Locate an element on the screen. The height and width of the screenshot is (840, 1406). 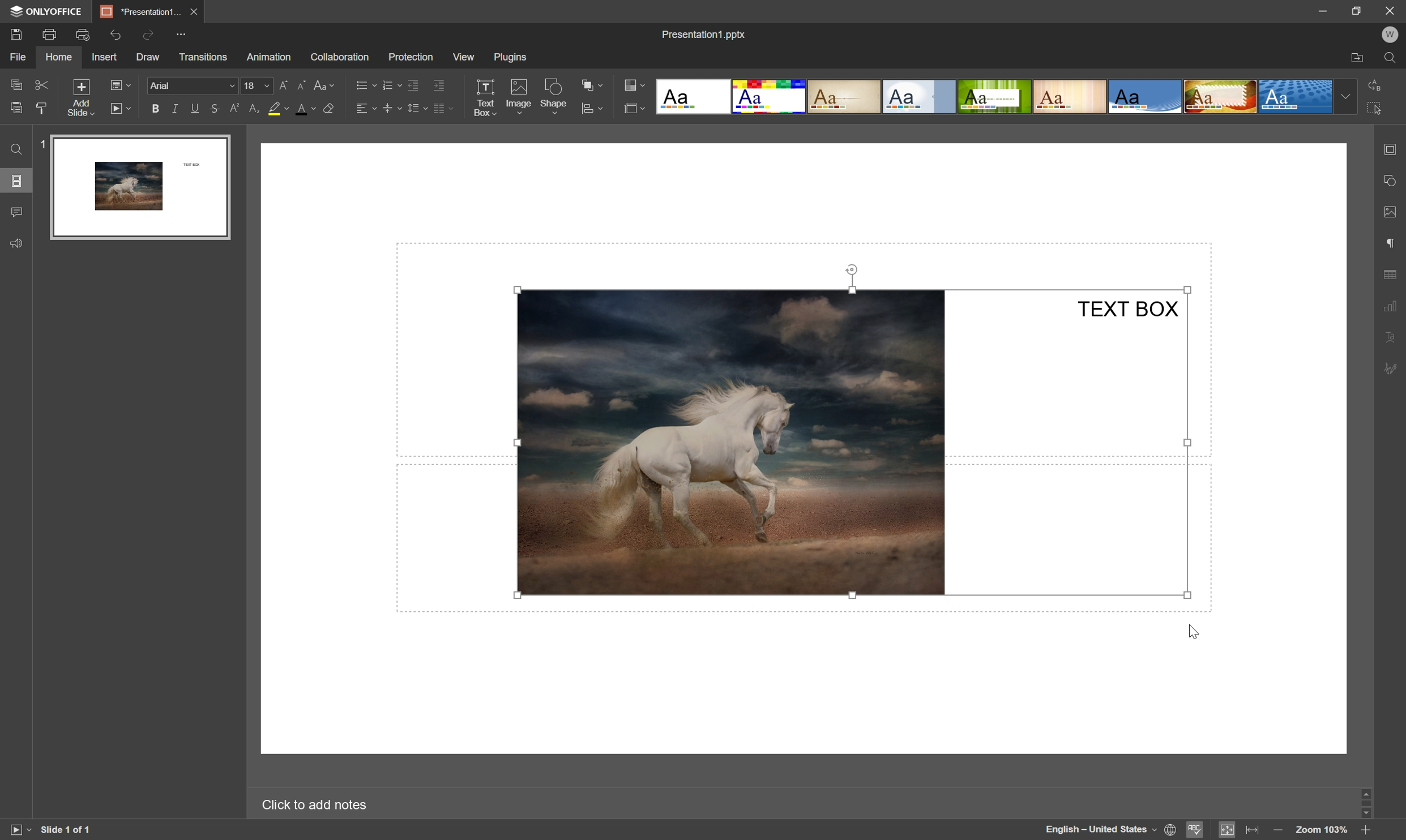
cut is located at coordinates (43, 84).